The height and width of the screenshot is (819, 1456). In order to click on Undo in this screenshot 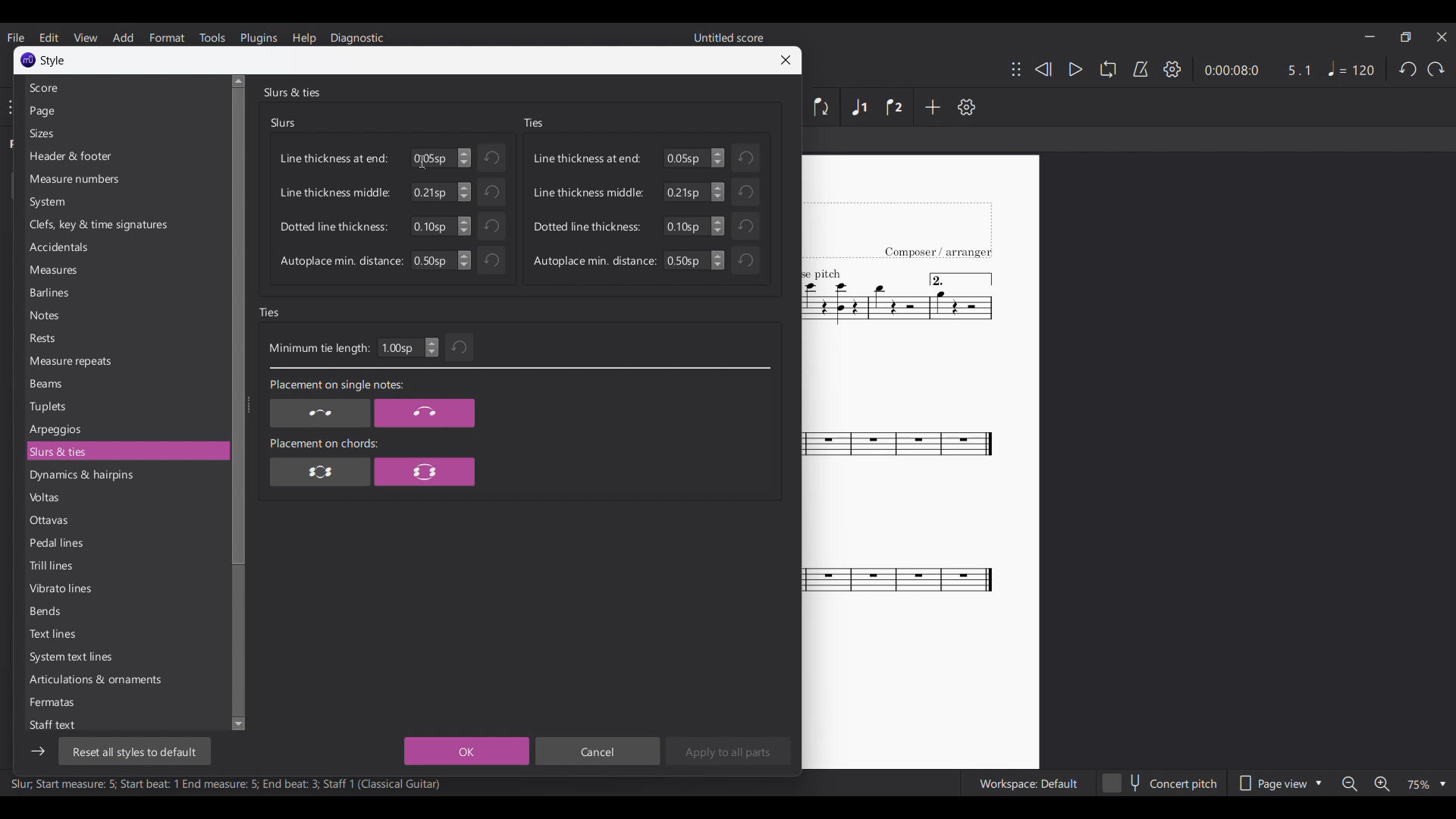, I will do `click(491, 192)`.